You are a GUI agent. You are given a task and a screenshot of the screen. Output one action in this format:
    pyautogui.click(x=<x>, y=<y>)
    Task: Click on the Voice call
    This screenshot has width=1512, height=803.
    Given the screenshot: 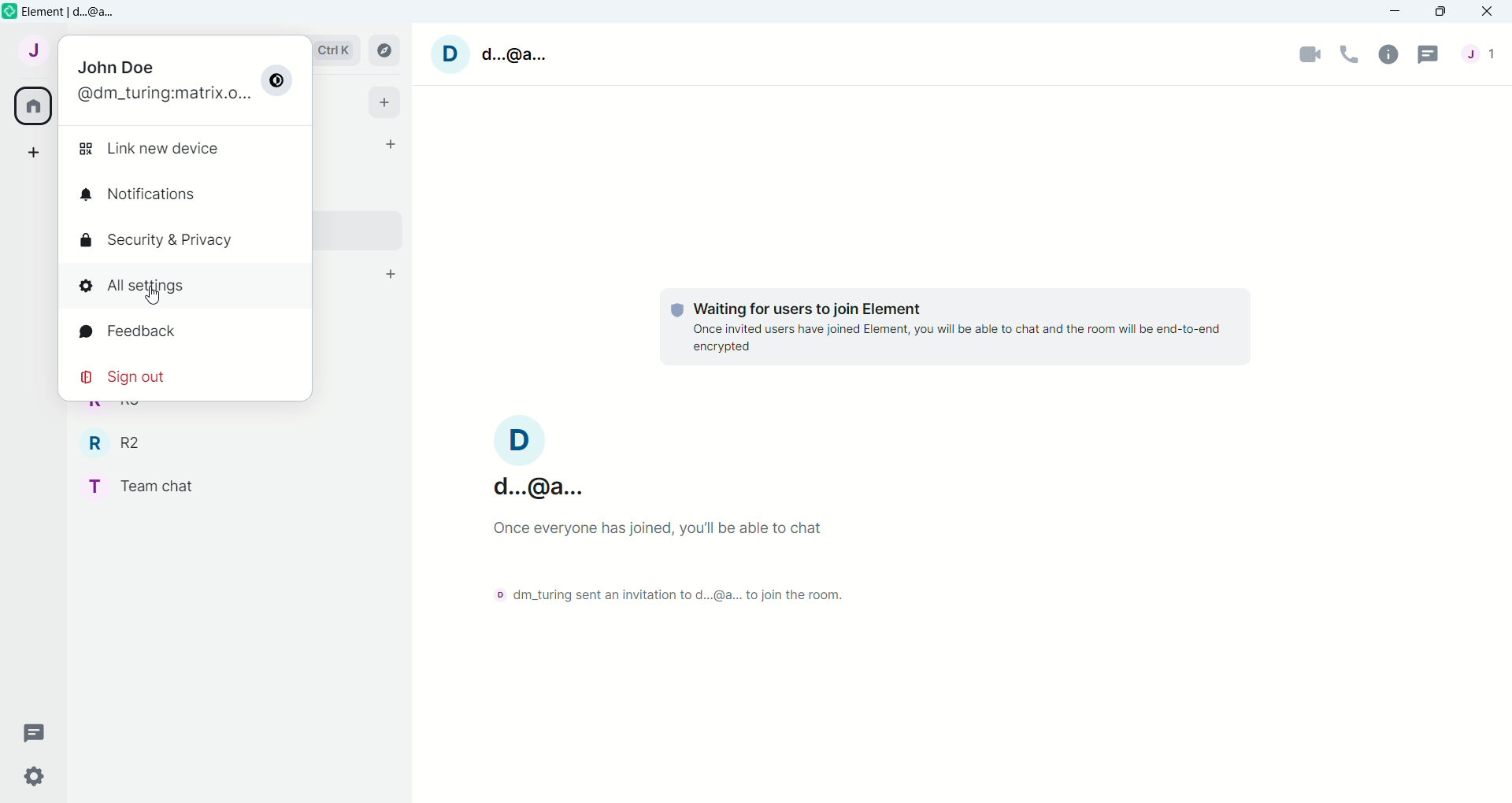 What is the action you would take?
    pyautogui.click(x=1352, y=52)
    